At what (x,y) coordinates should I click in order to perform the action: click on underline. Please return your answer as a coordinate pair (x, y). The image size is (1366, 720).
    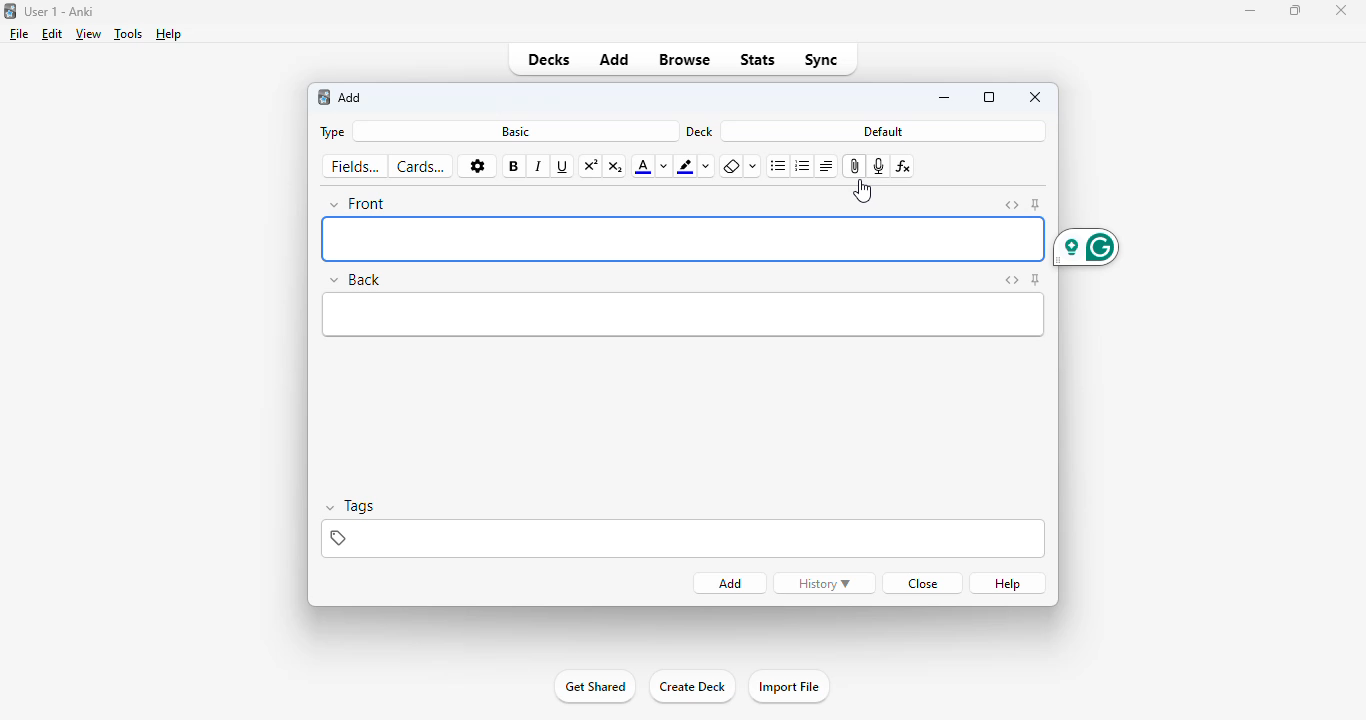
    Looking at the image, I should click on (563, 167).